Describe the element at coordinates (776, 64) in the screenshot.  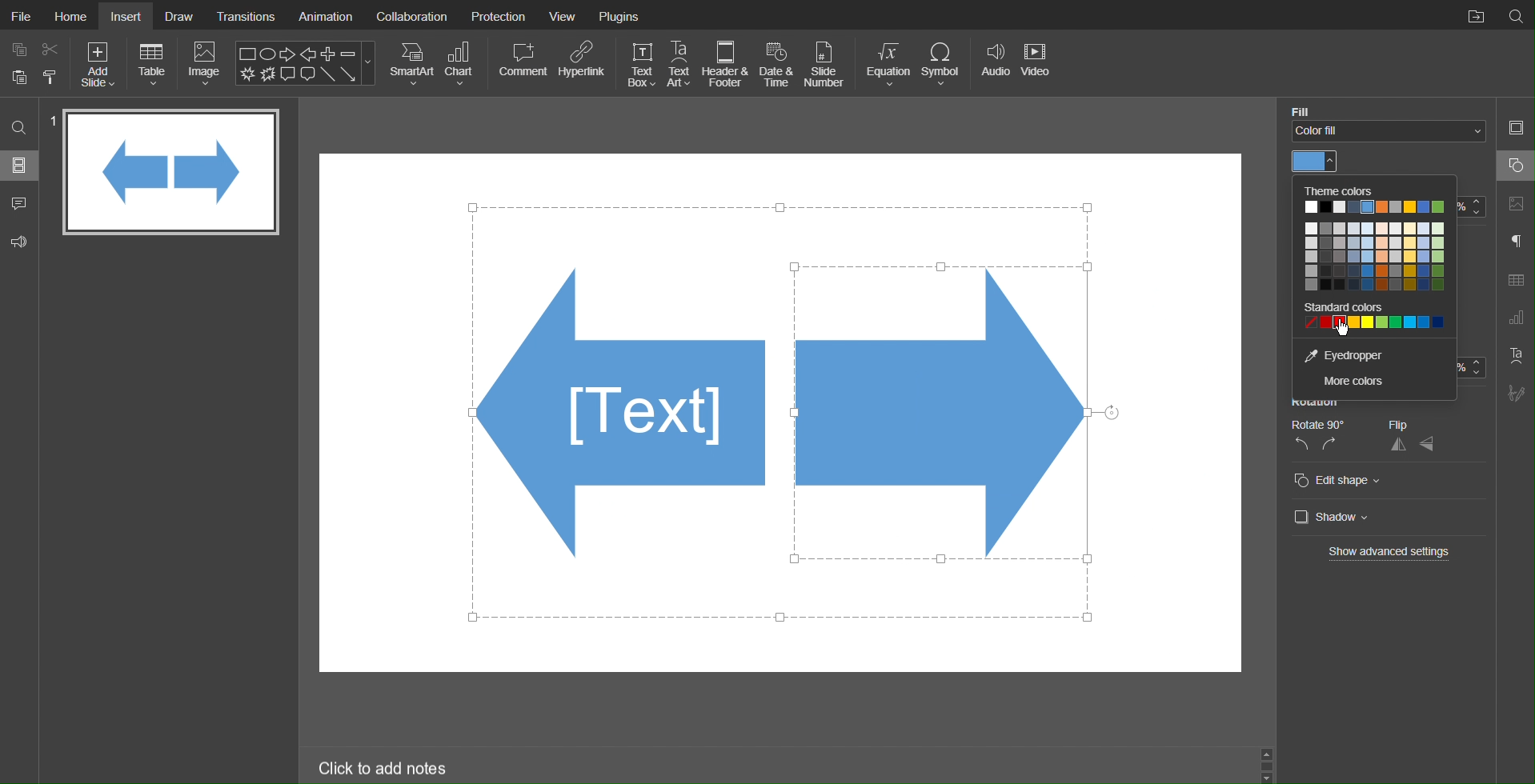
I see `Date and Time` at that location.